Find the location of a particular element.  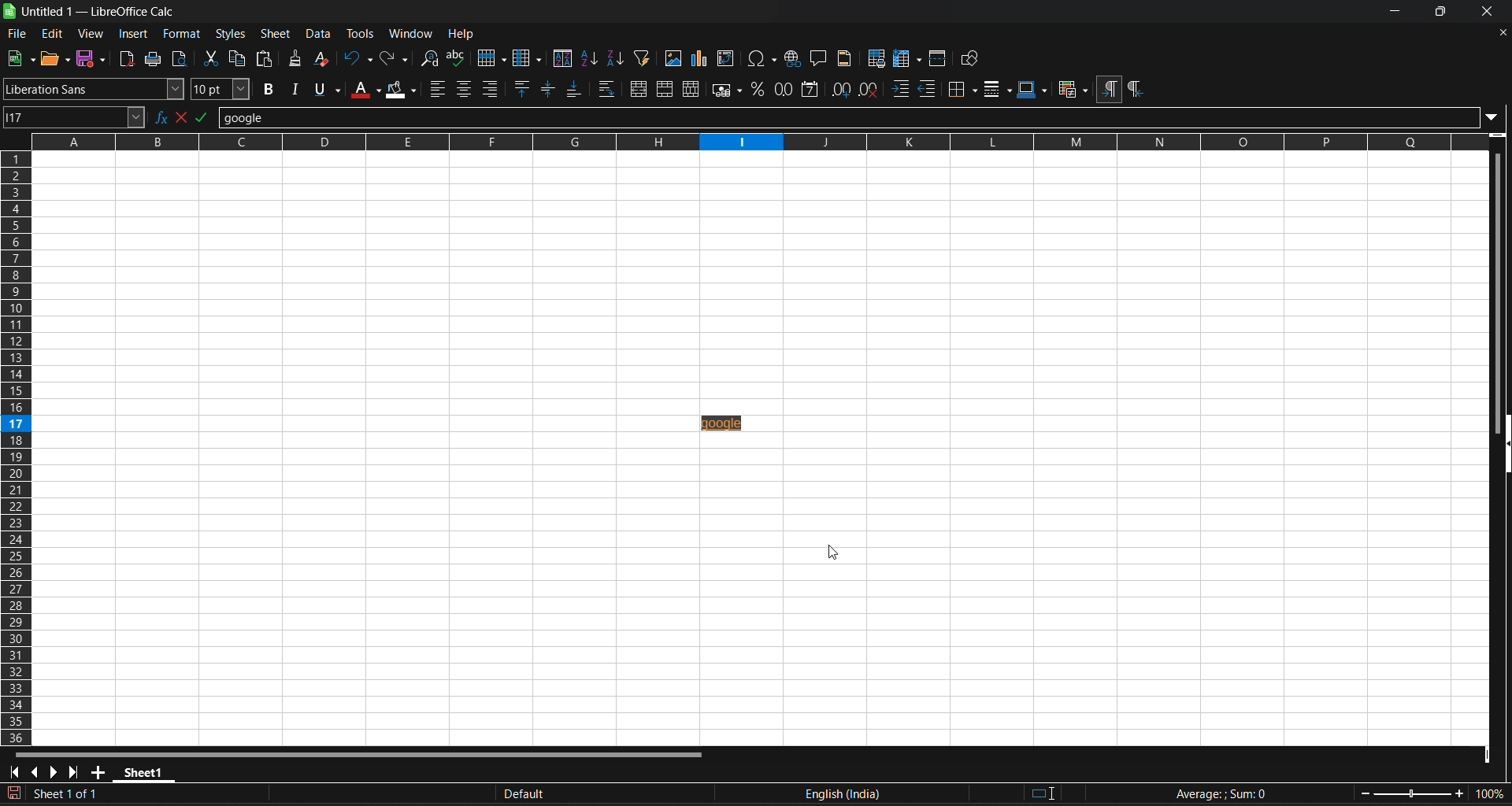

sheet 1 is located at coordinates (144, 771).